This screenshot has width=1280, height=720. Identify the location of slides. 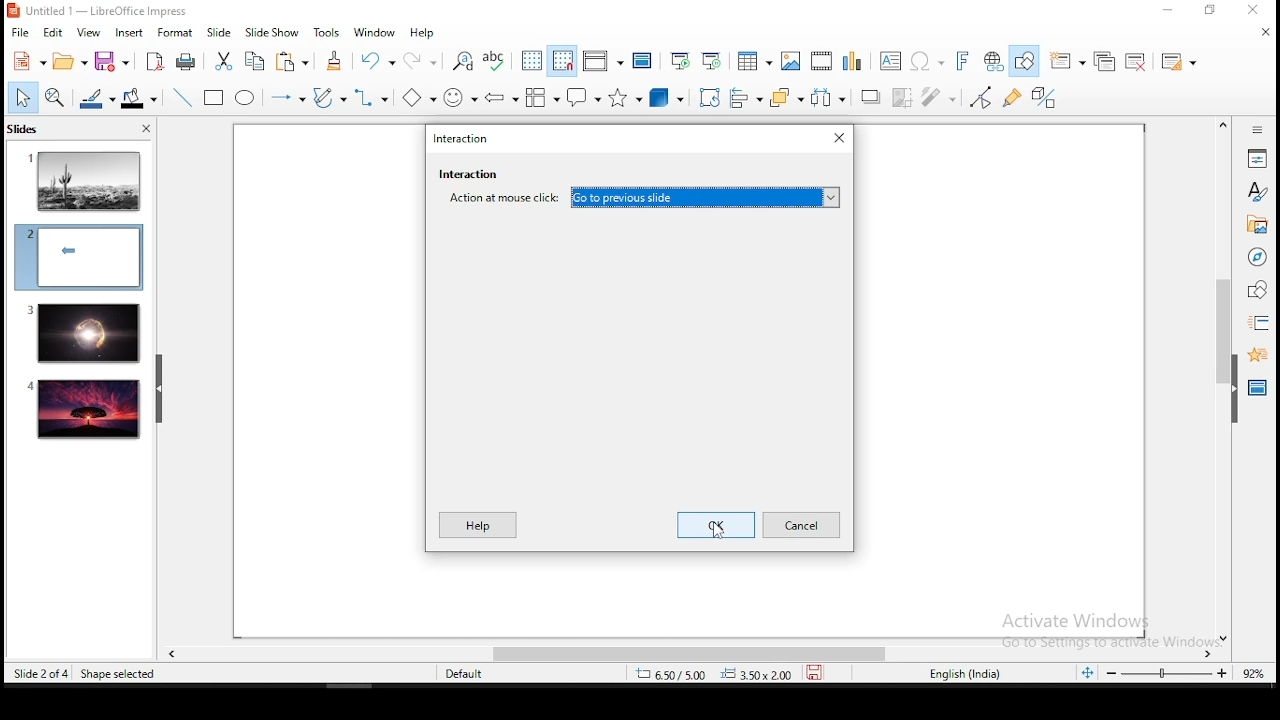
(27, 131).